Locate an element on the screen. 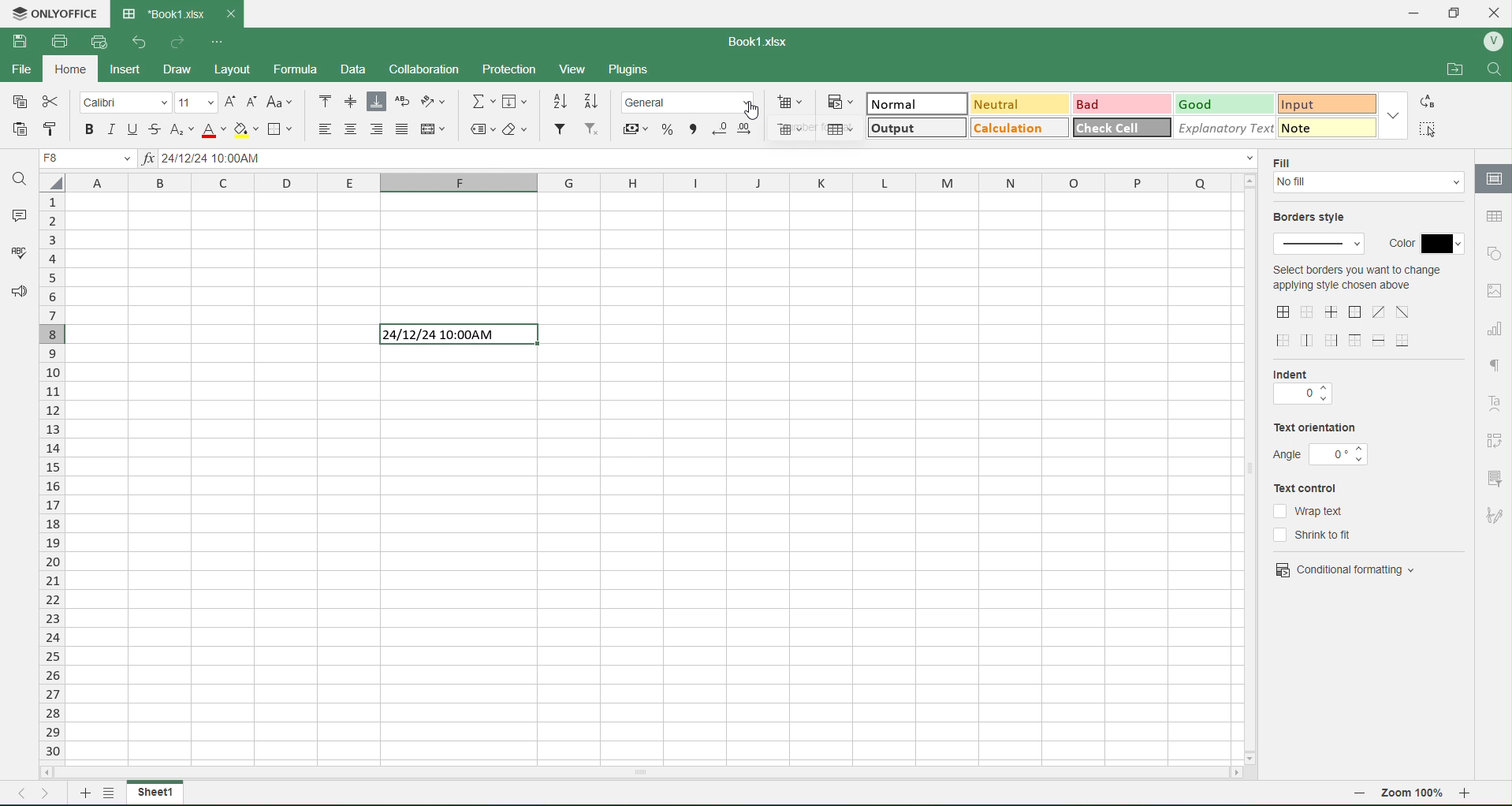  Collaboration is located at coordinates (434, 69).